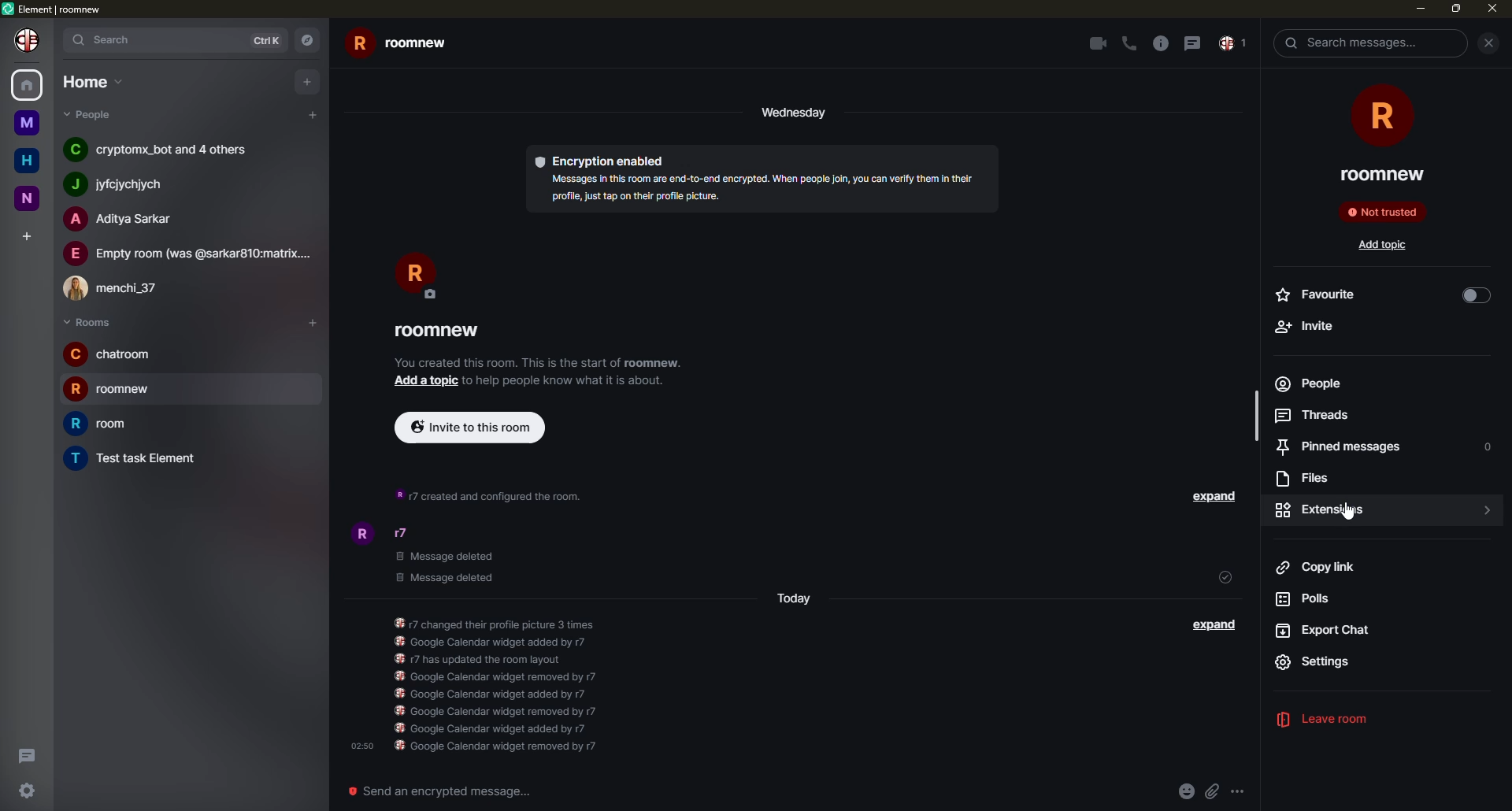  Describe the element at coordinates (115, 185) in the screenshot. I see `people` at that location.